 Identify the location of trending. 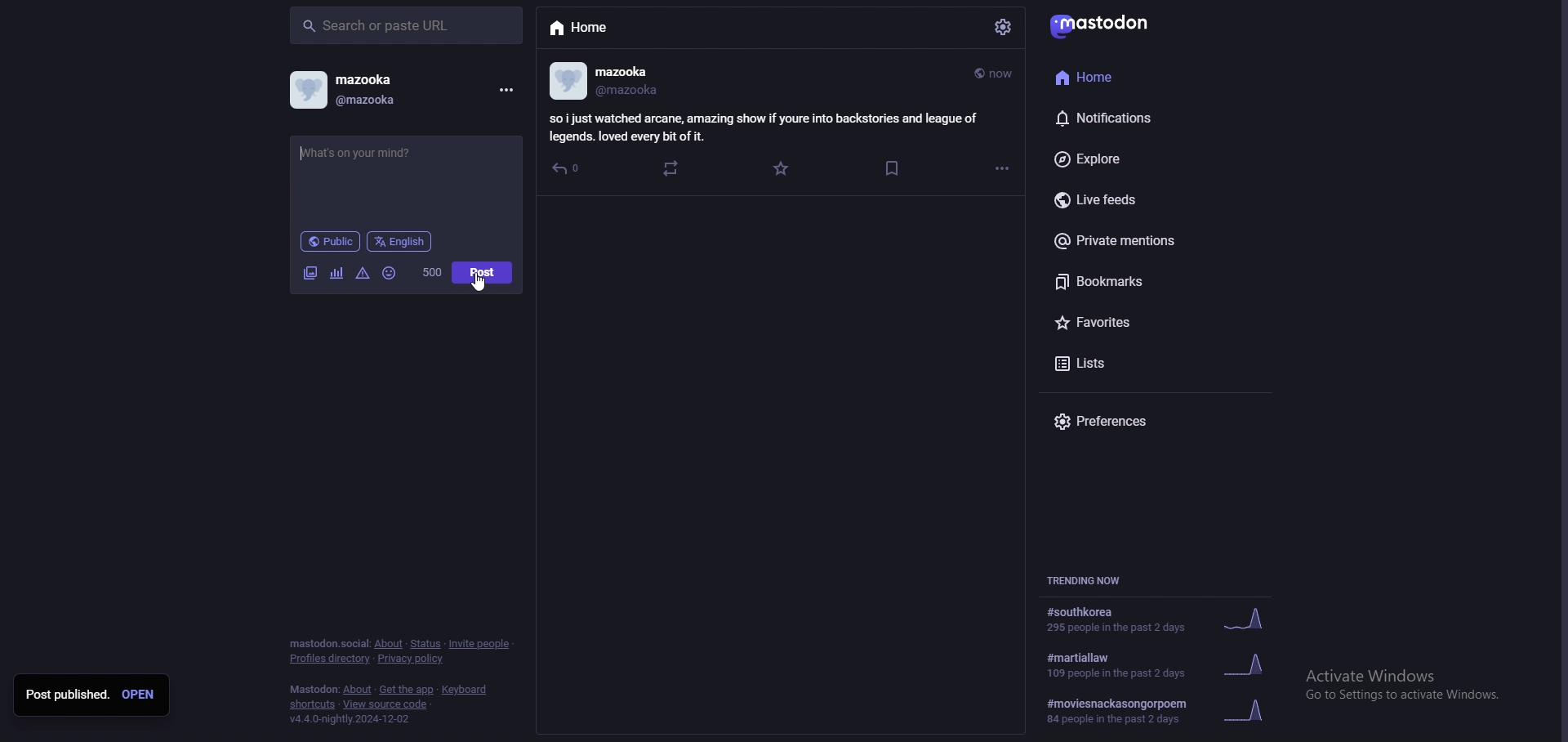
(1169, 711).